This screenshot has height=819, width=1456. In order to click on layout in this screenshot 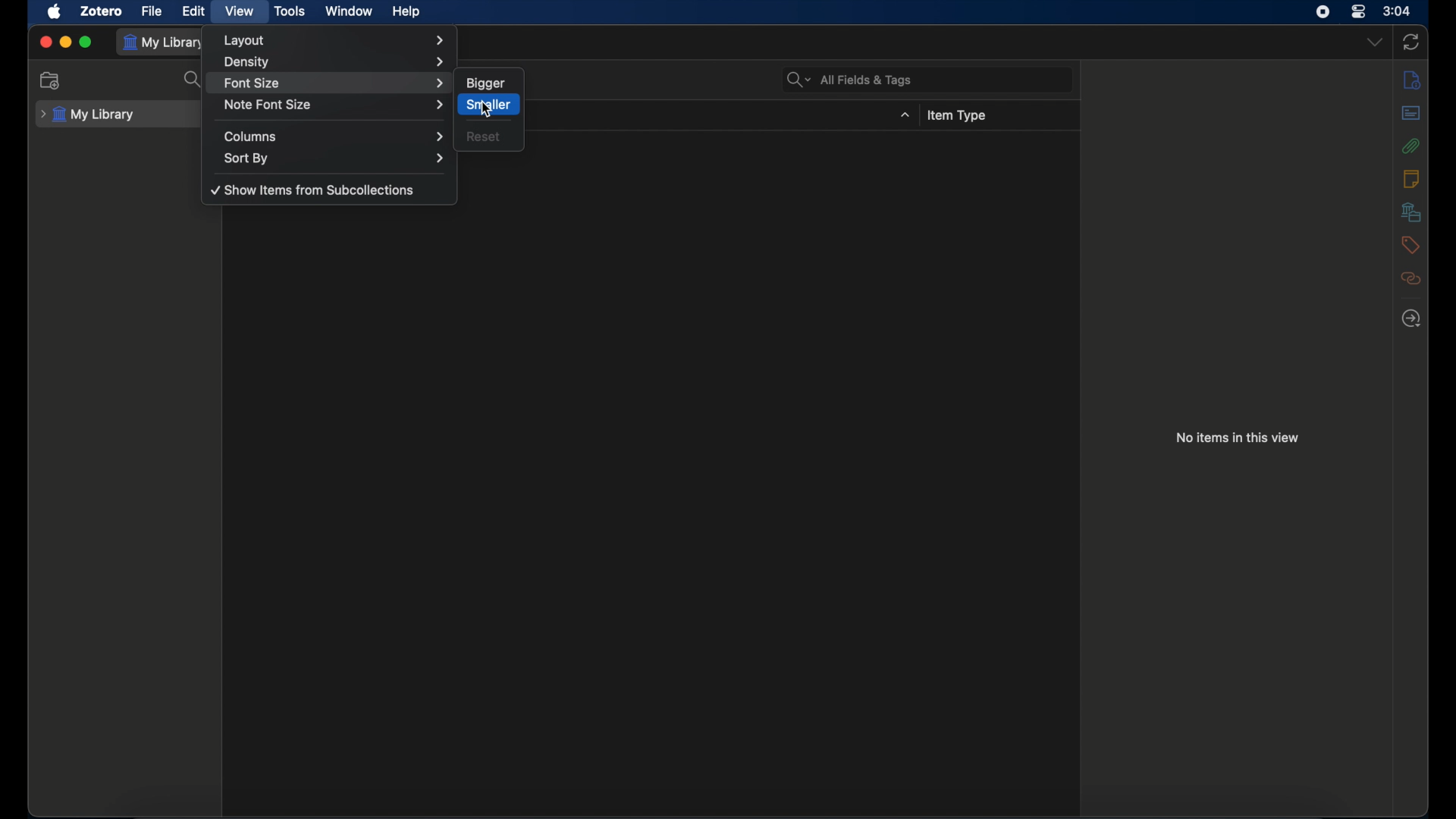, I will do `click(336, 40)`.